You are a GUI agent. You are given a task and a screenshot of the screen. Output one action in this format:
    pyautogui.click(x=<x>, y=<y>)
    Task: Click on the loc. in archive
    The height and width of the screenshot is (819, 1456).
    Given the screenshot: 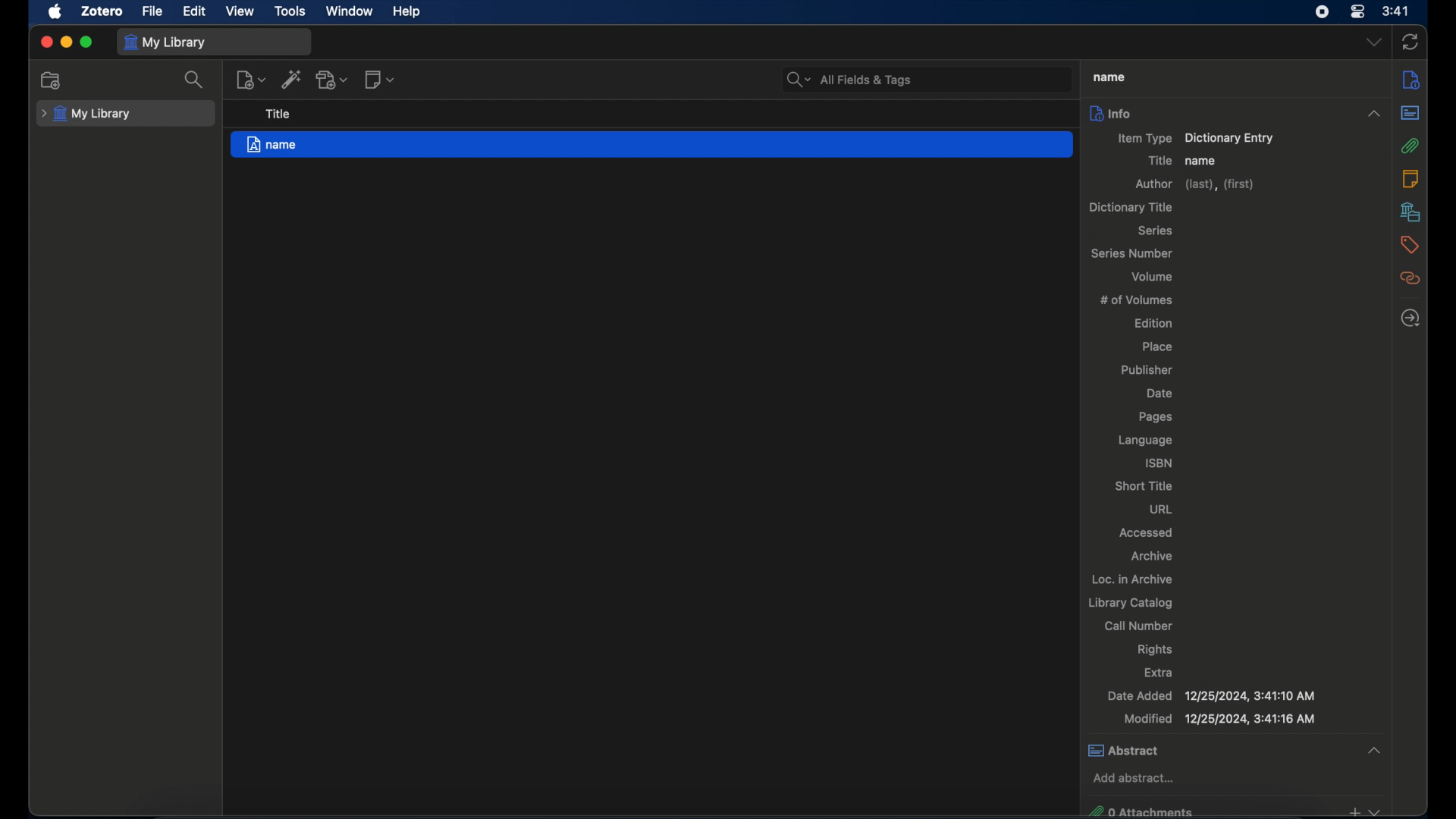 What is the action you would take?
    pyautogui.click(x=1132, y=579)
    